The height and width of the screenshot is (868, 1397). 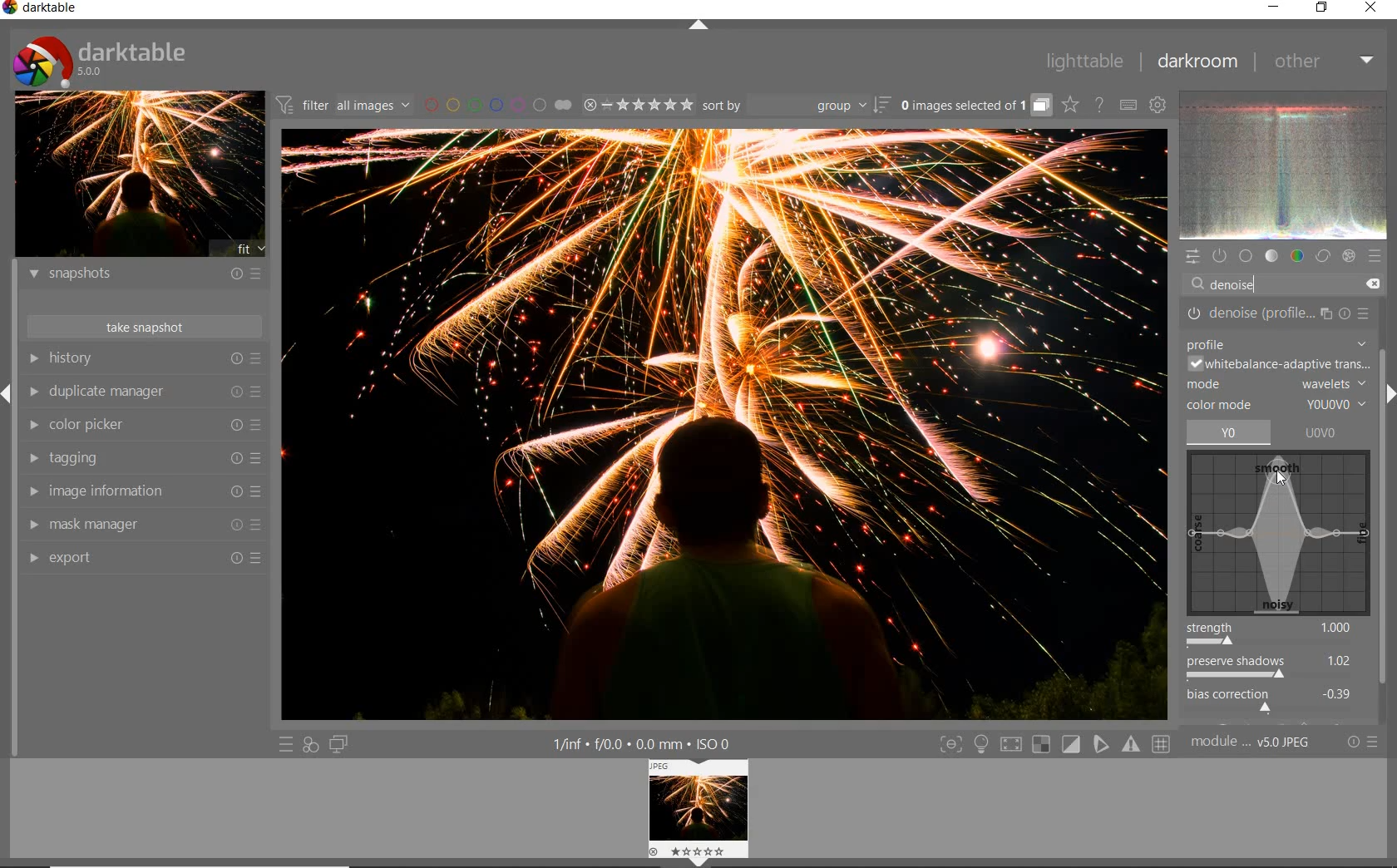 I want to click on base, so click(x=1247, y=257).